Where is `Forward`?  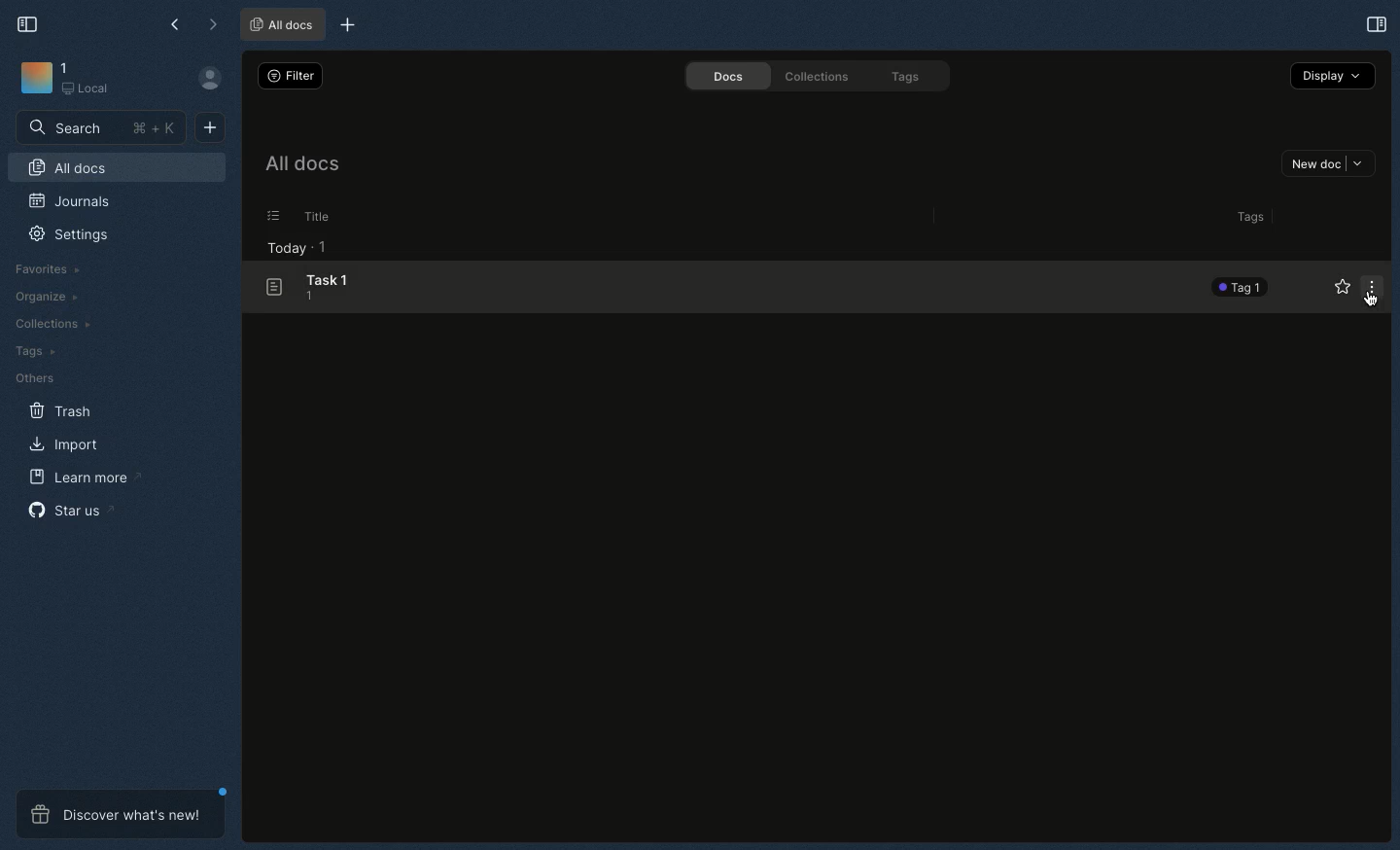
Forward is located at coordinates (214, 23).